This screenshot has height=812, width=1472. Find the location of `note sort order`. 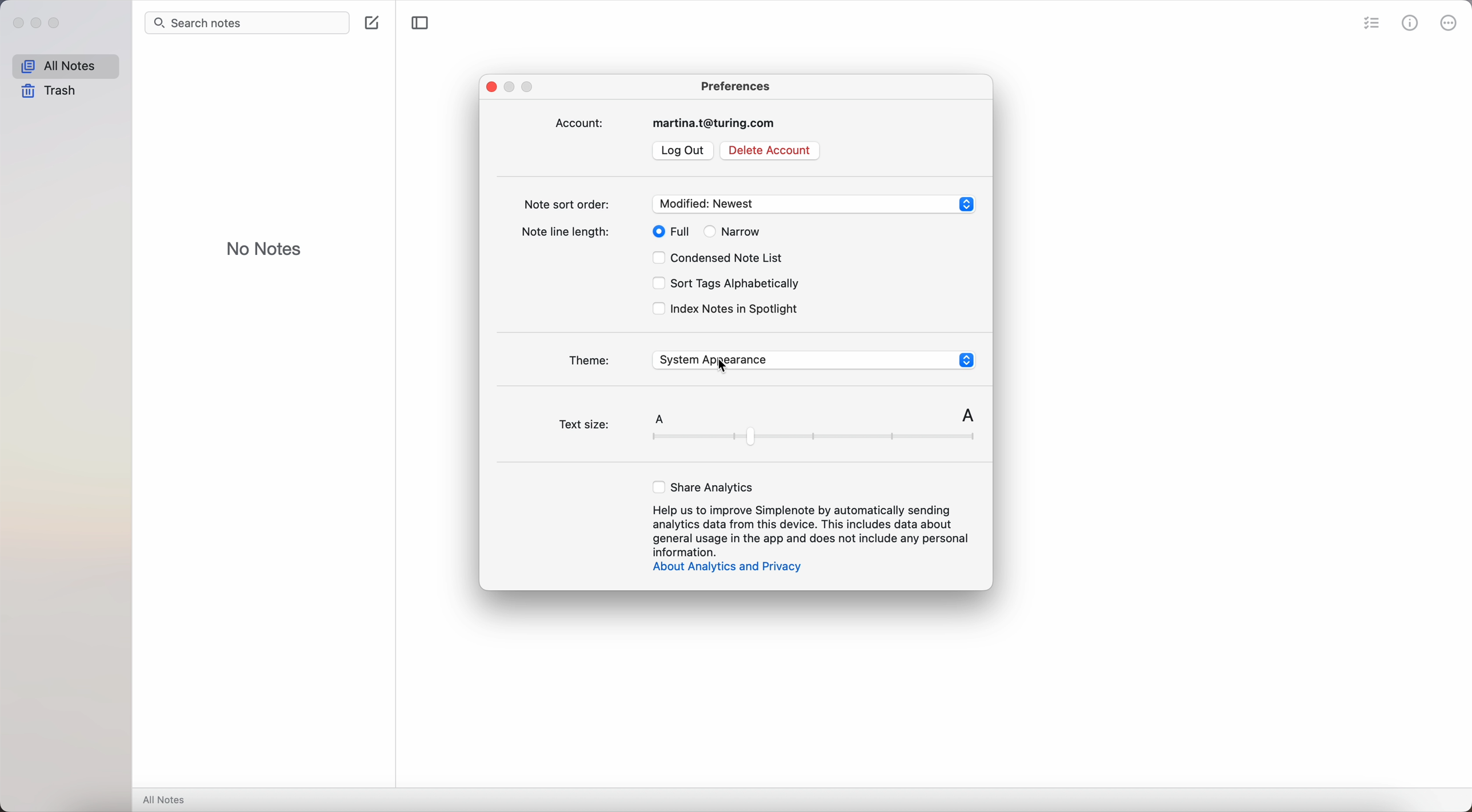

note sort order is located at coordinates (749, 203).